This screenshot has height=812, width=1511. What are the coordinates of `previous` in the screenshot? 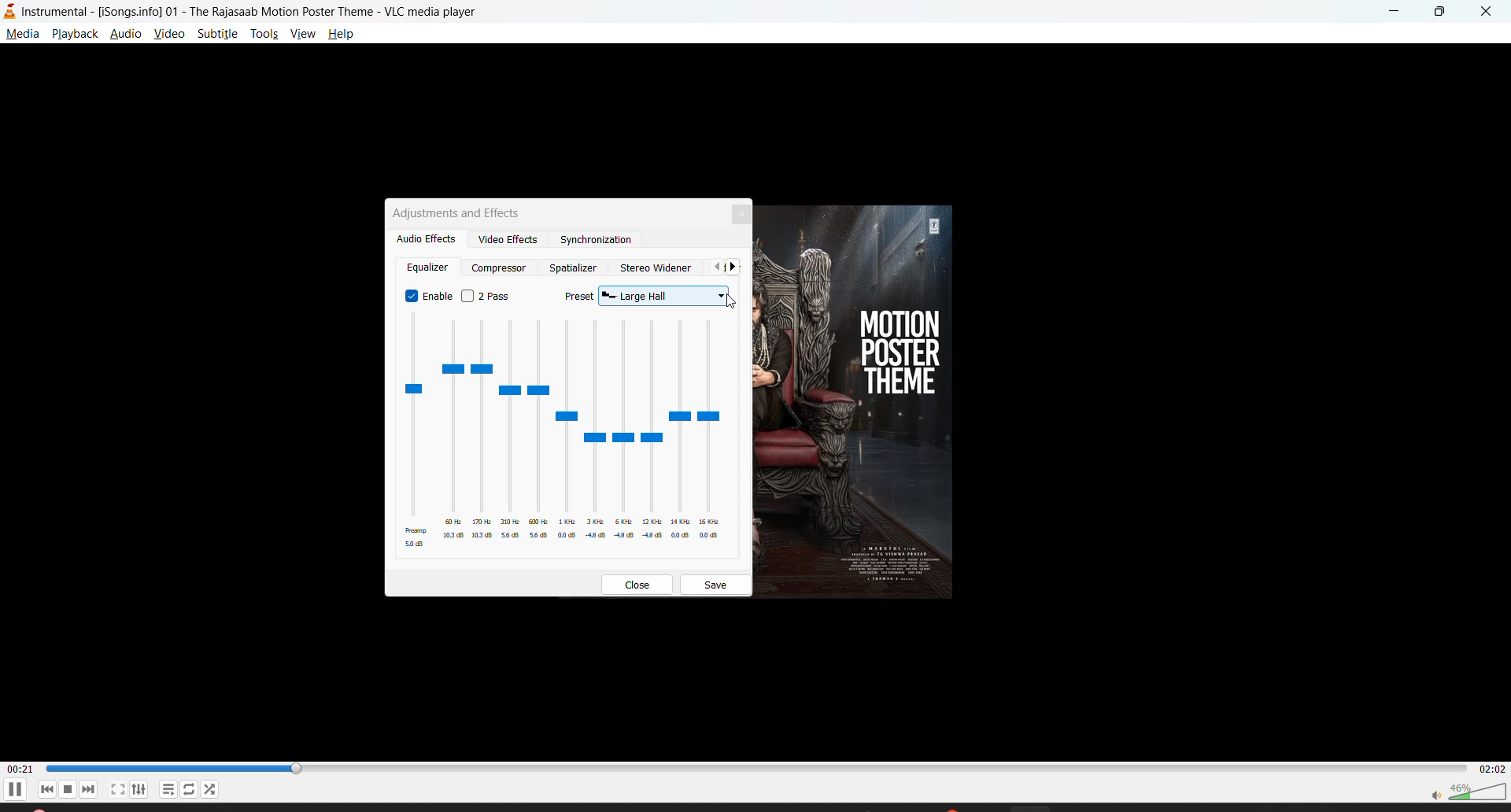 It's located at (714, 268).